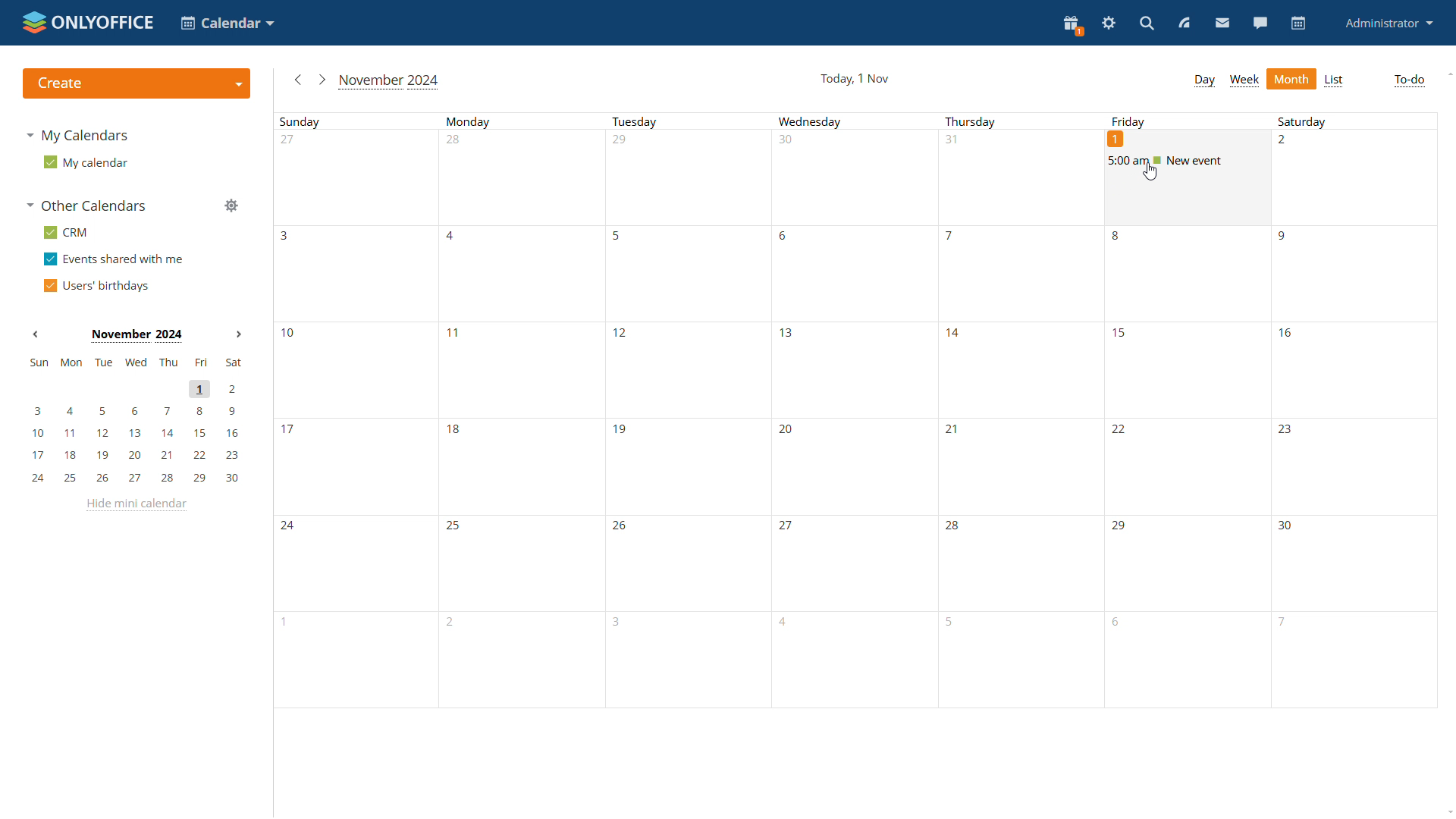 This screenshot has height=819, width=1456. Describe the element at coordinates (320, 79) in the screenshot. I see `go to next month` at that location.